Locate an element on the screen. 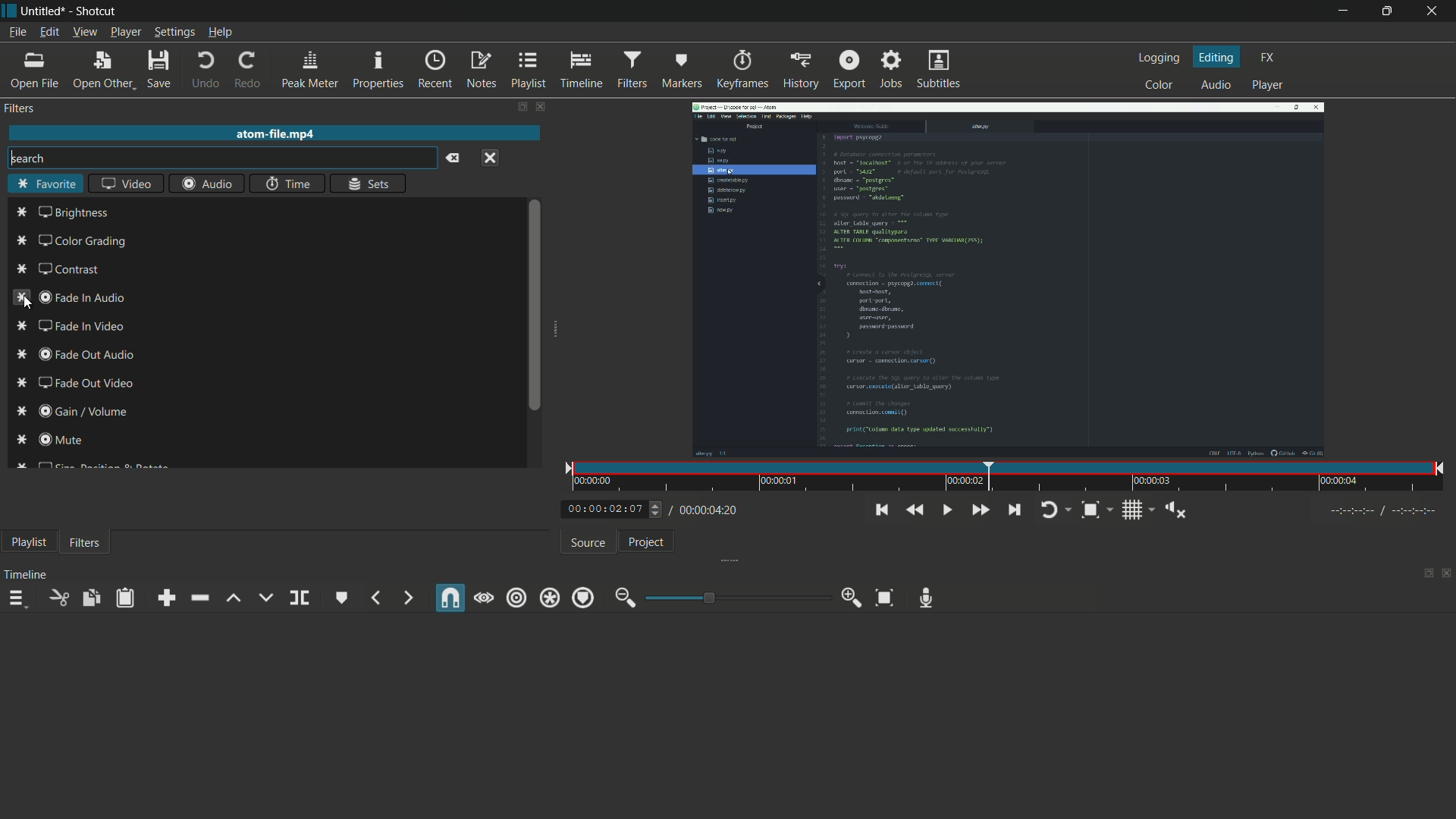 The height and width of the screenshot is (819, 1456). keyframes is located at coordinates (743, 71).